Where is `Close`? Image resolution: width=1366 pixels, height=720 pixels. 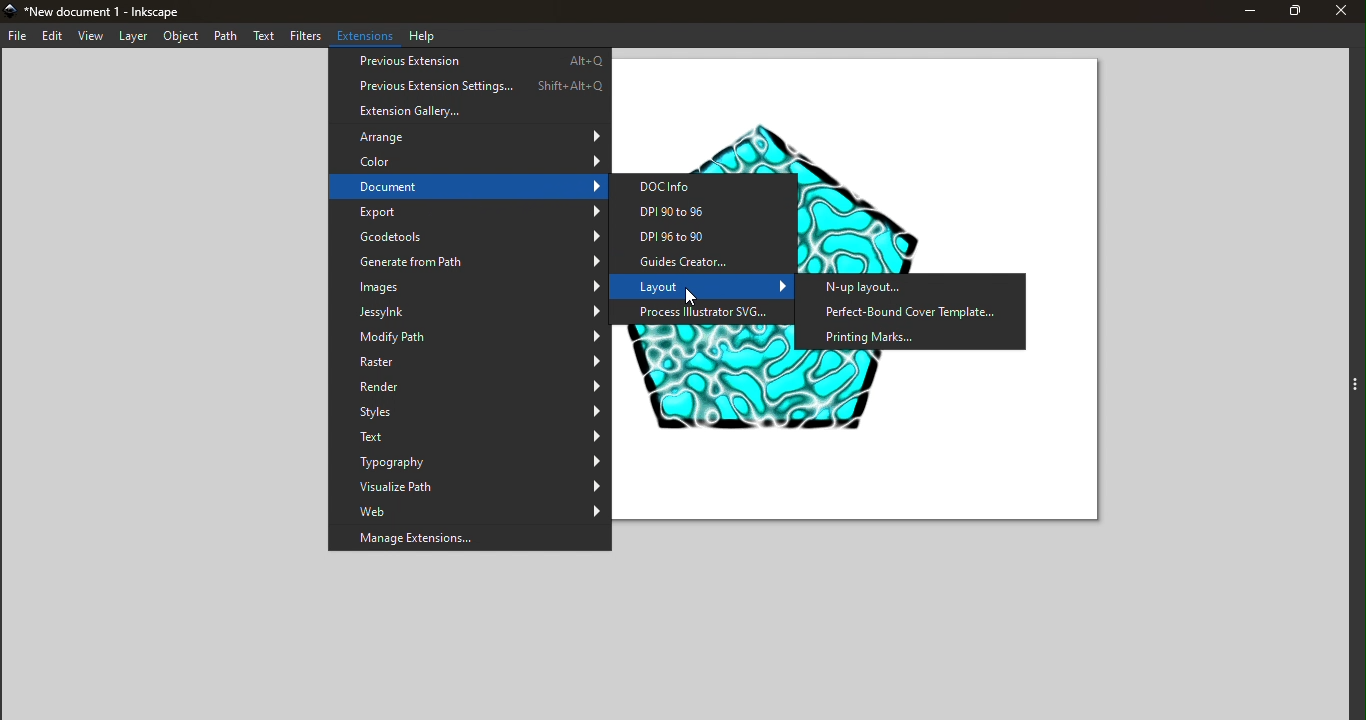
Close is located at coordinates (1339, 13).